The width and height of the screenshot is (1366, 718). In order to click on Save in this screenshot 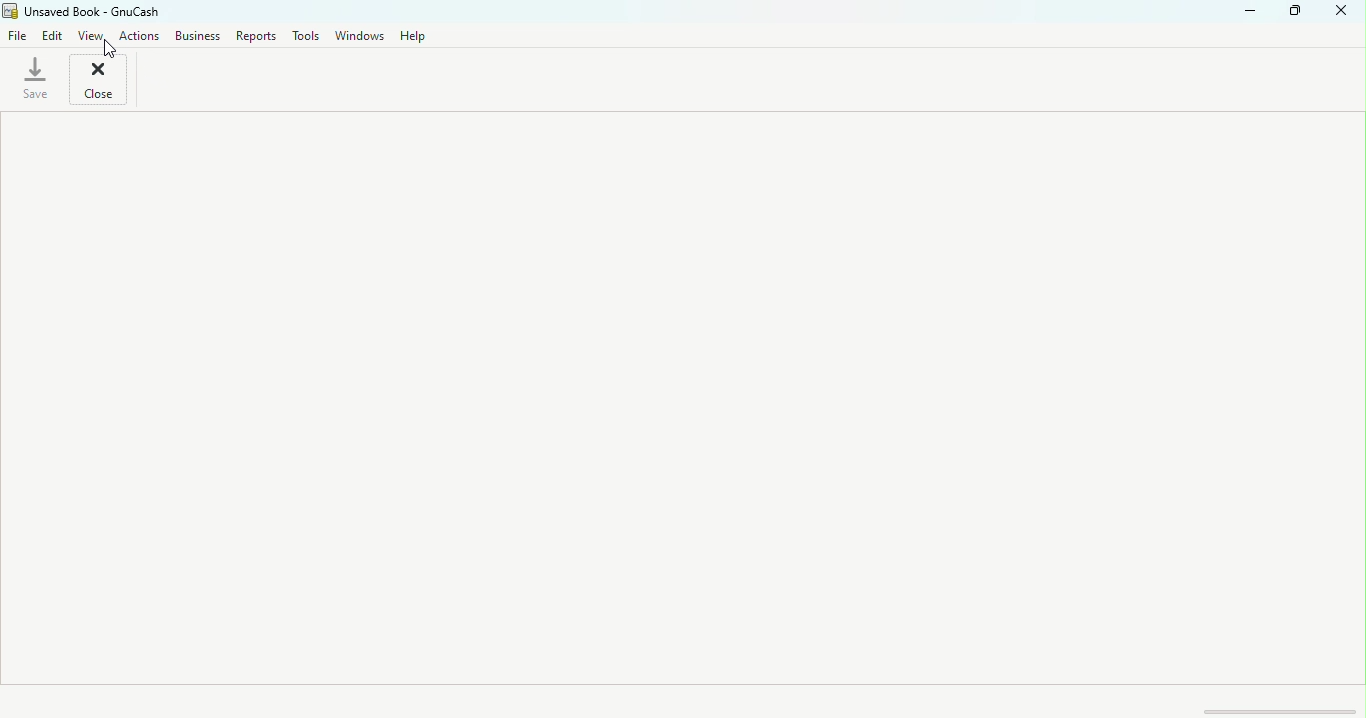, I will do `click(38, 83)`.